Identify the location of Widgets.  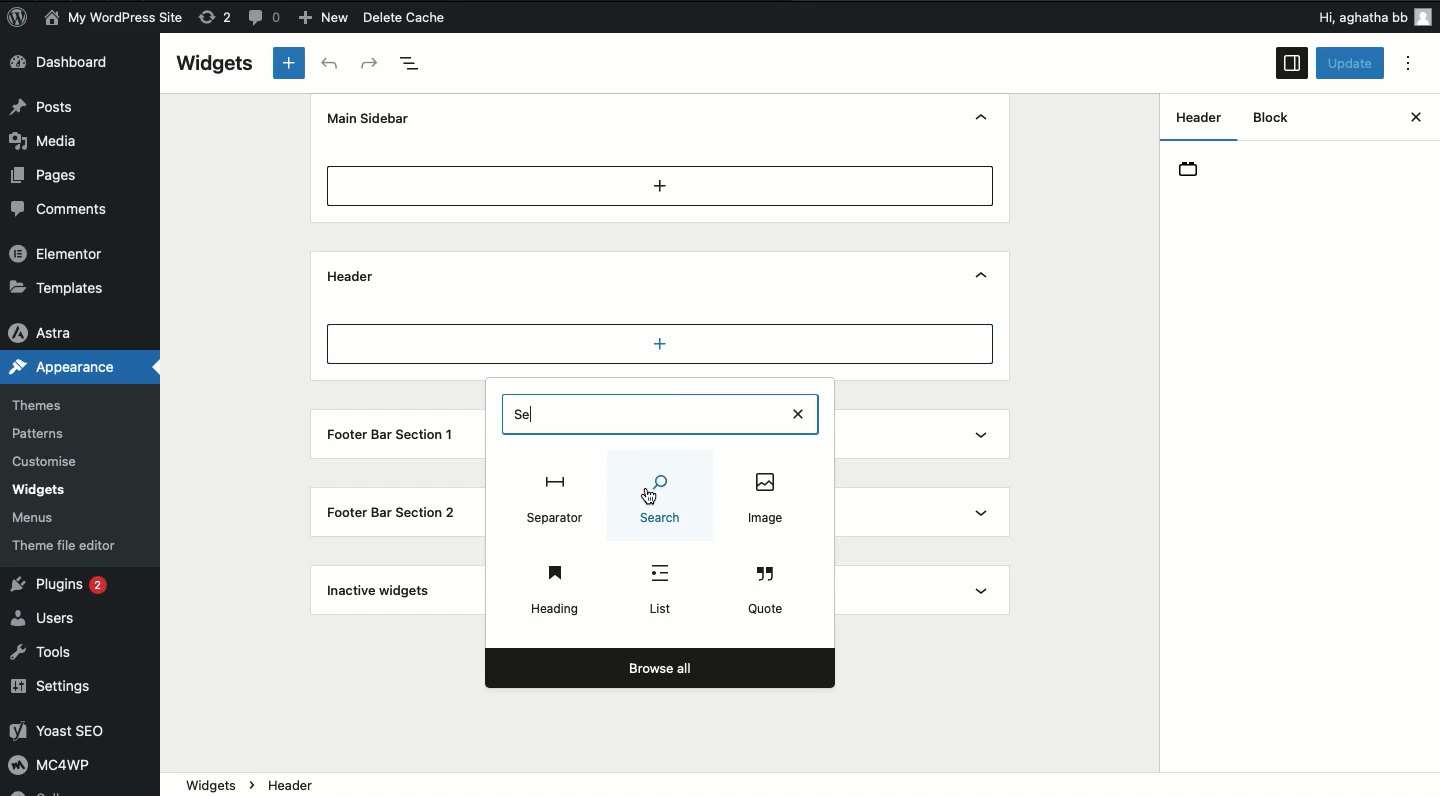
(40, 490).